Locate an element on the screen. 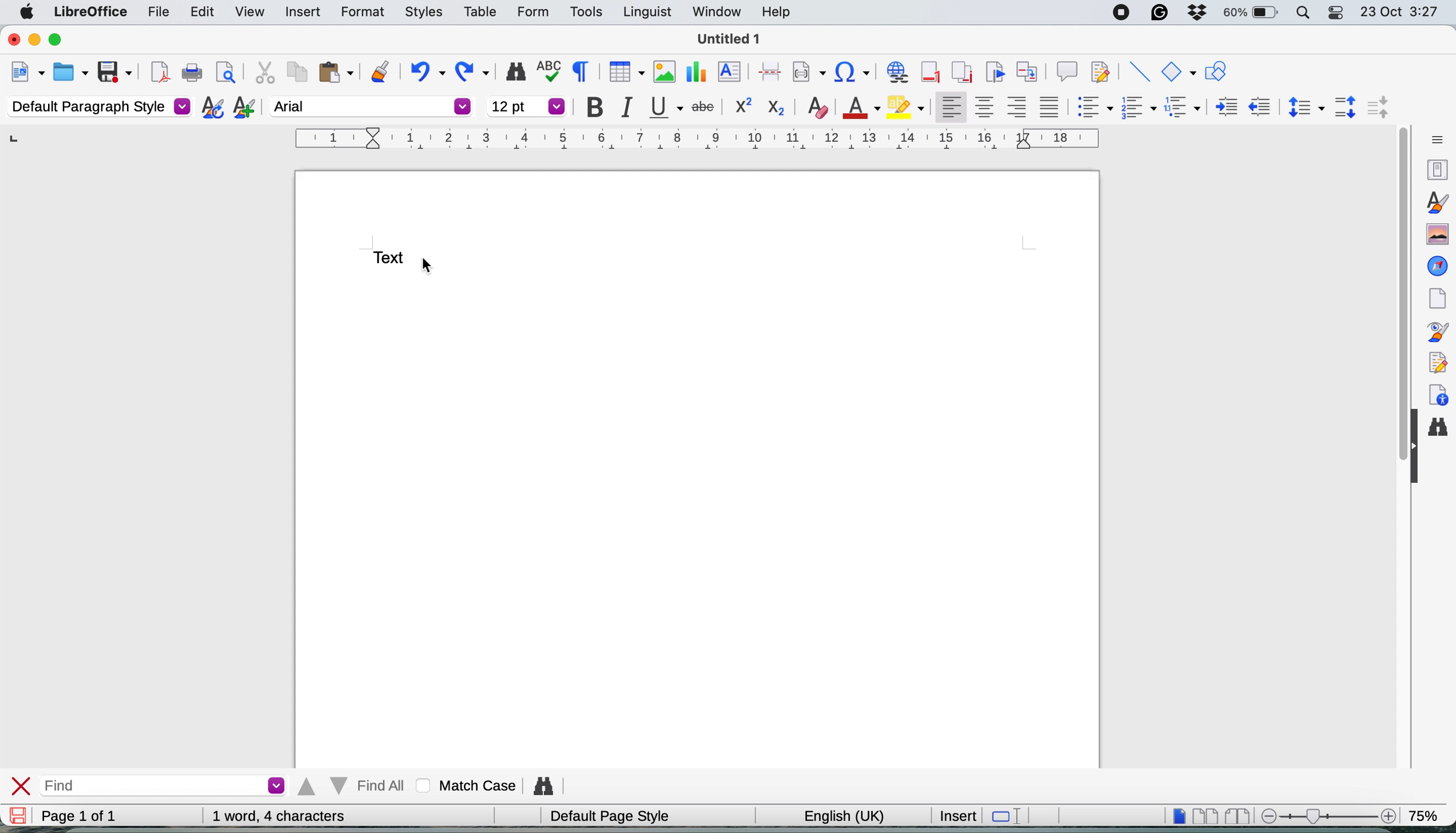 The height and width of the screenshot is (833, 1456). show draw function is located at coordinates (1215, 72).